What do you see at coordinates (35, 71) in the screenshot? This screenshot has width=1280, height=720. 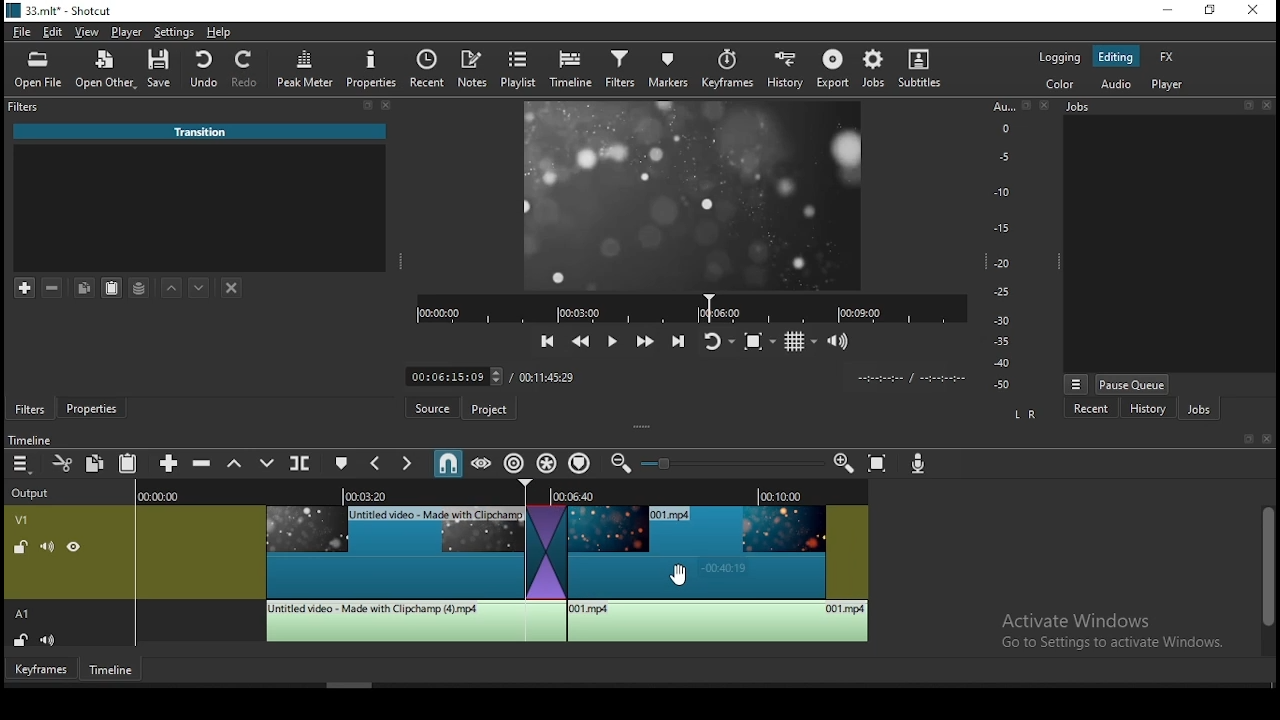 I see `open file` at bounding box center [35, 71].